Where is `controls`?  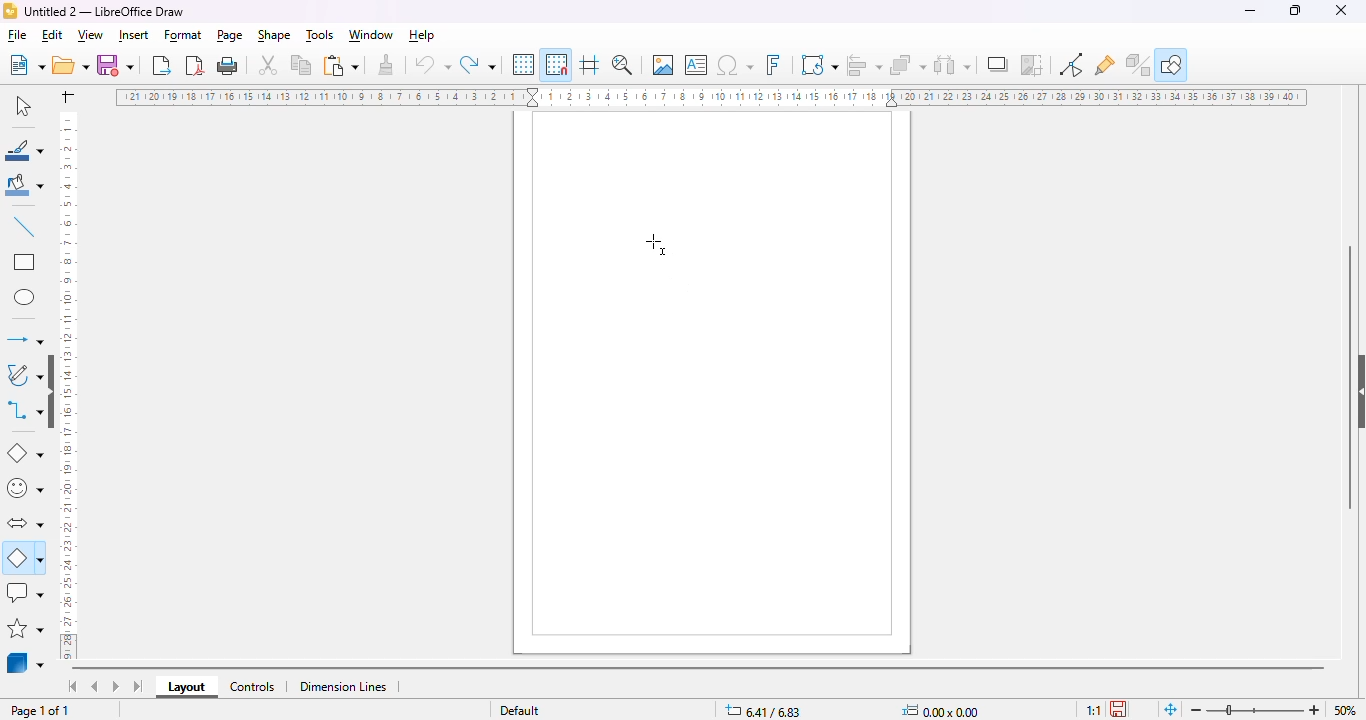 controls is located at coordinates (254, 687).